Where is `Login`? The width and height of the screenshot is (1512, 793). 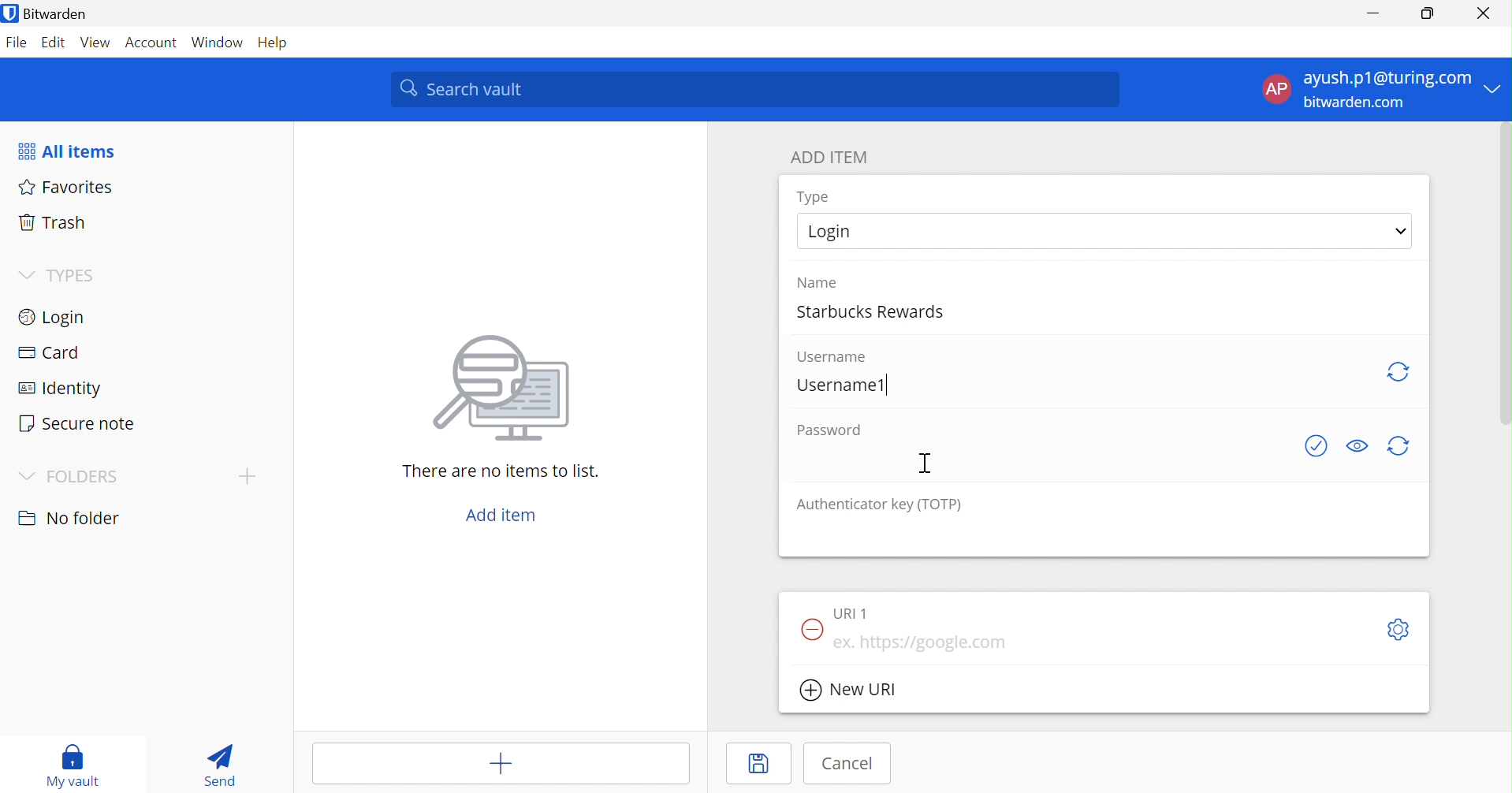
Login is located at coordinates (836, 229).